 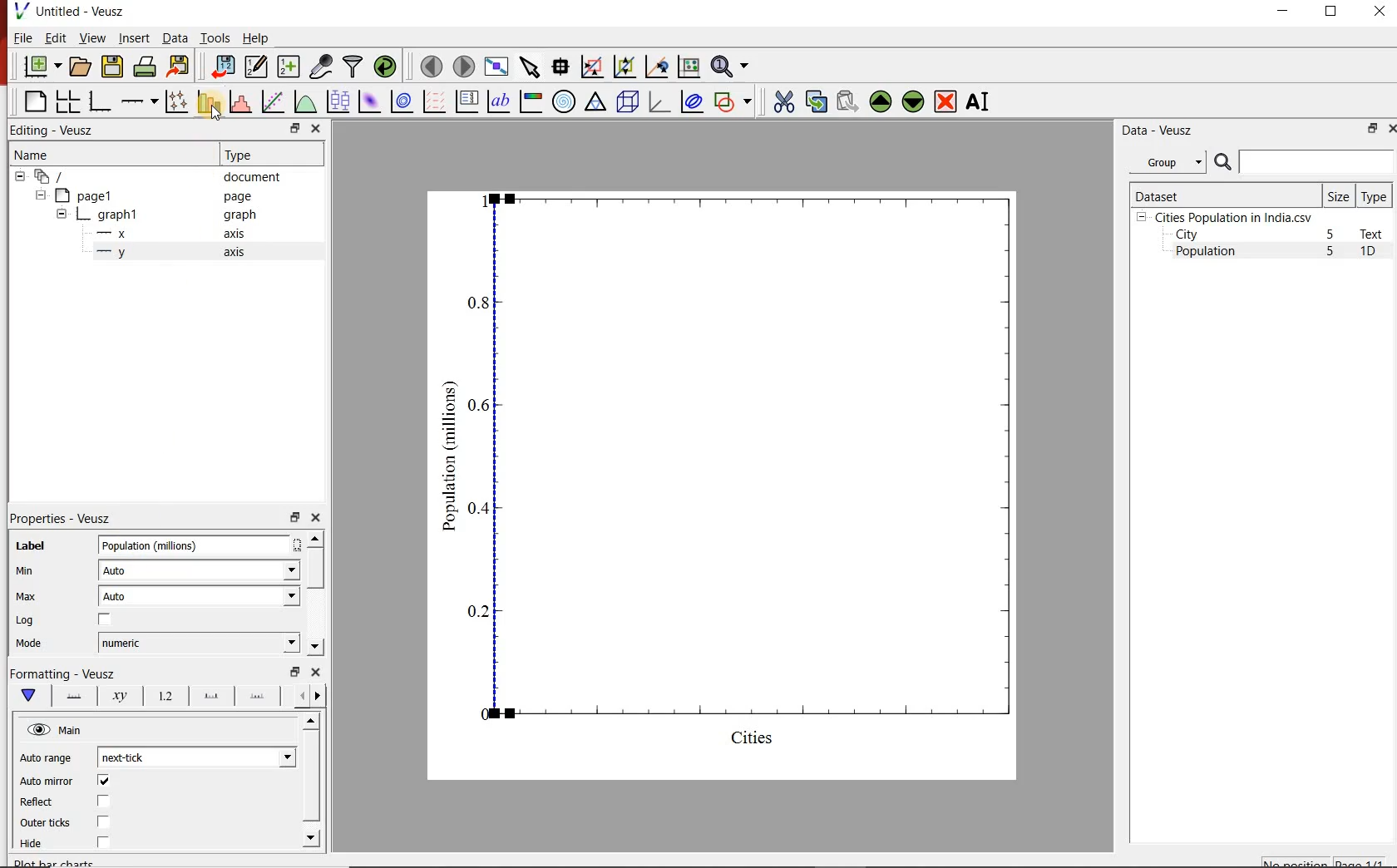 I want to click on Editing - Veusz, so click(x=61, y=130).